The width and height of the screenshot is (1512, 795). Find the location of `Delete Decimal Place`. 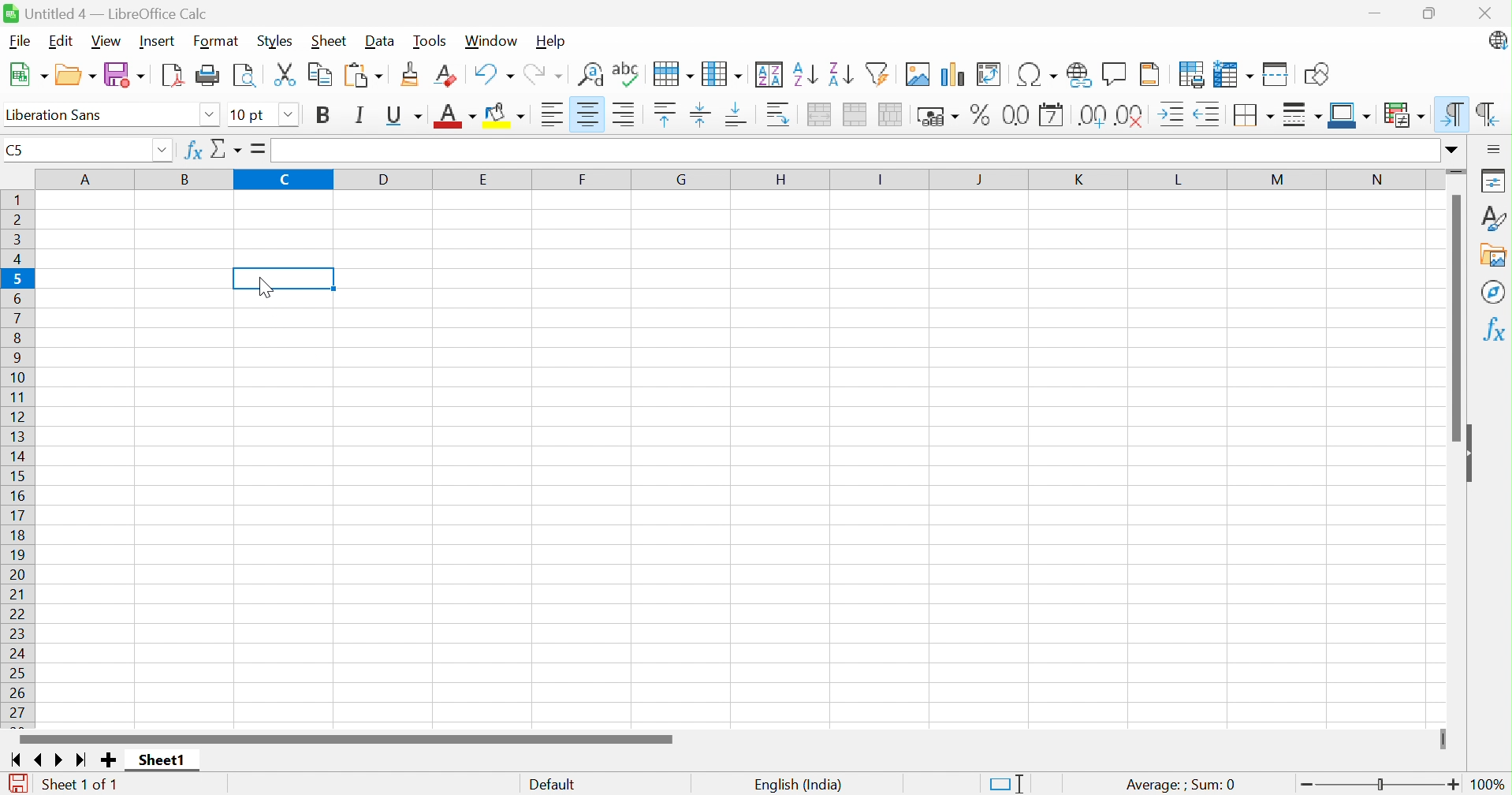

Delete Decimal Place is located at coordinates (1133, 114).